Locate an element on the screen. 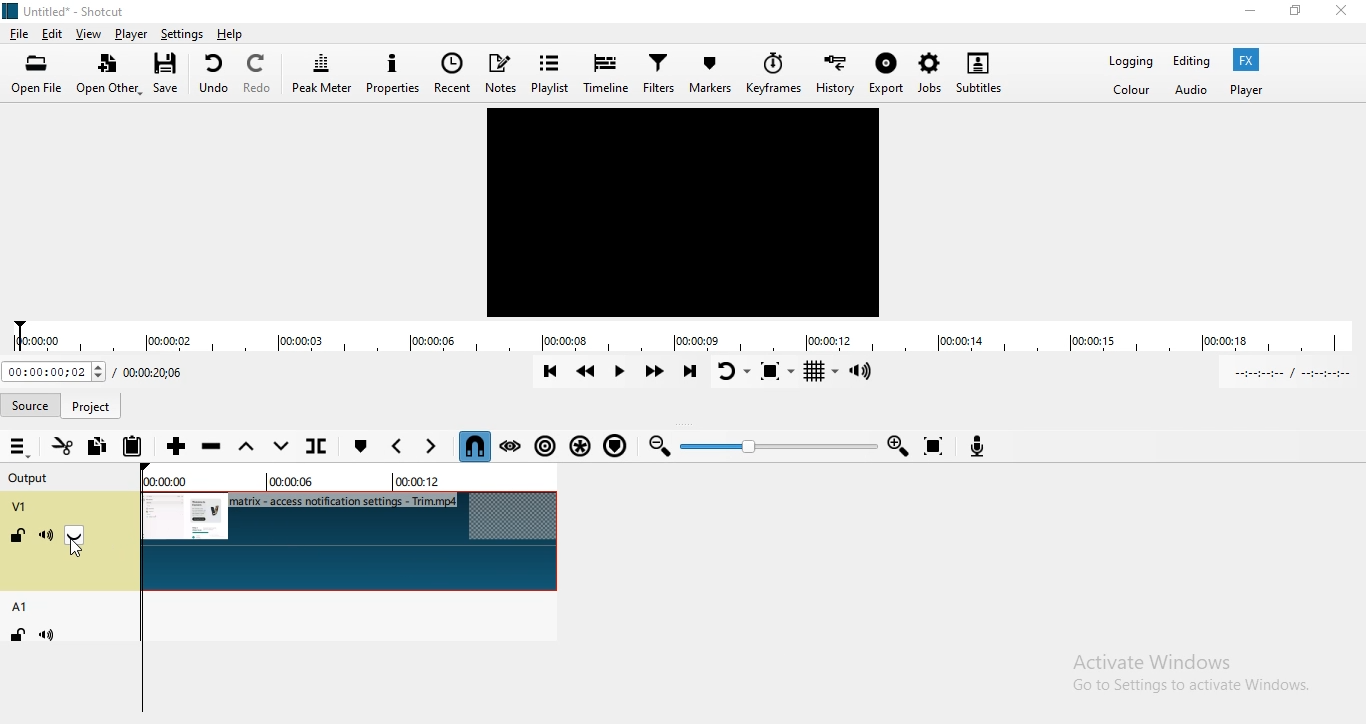 Image resolution: width=1366 pixels, height=724 pixels. Save is located at coordinates (170, 73).